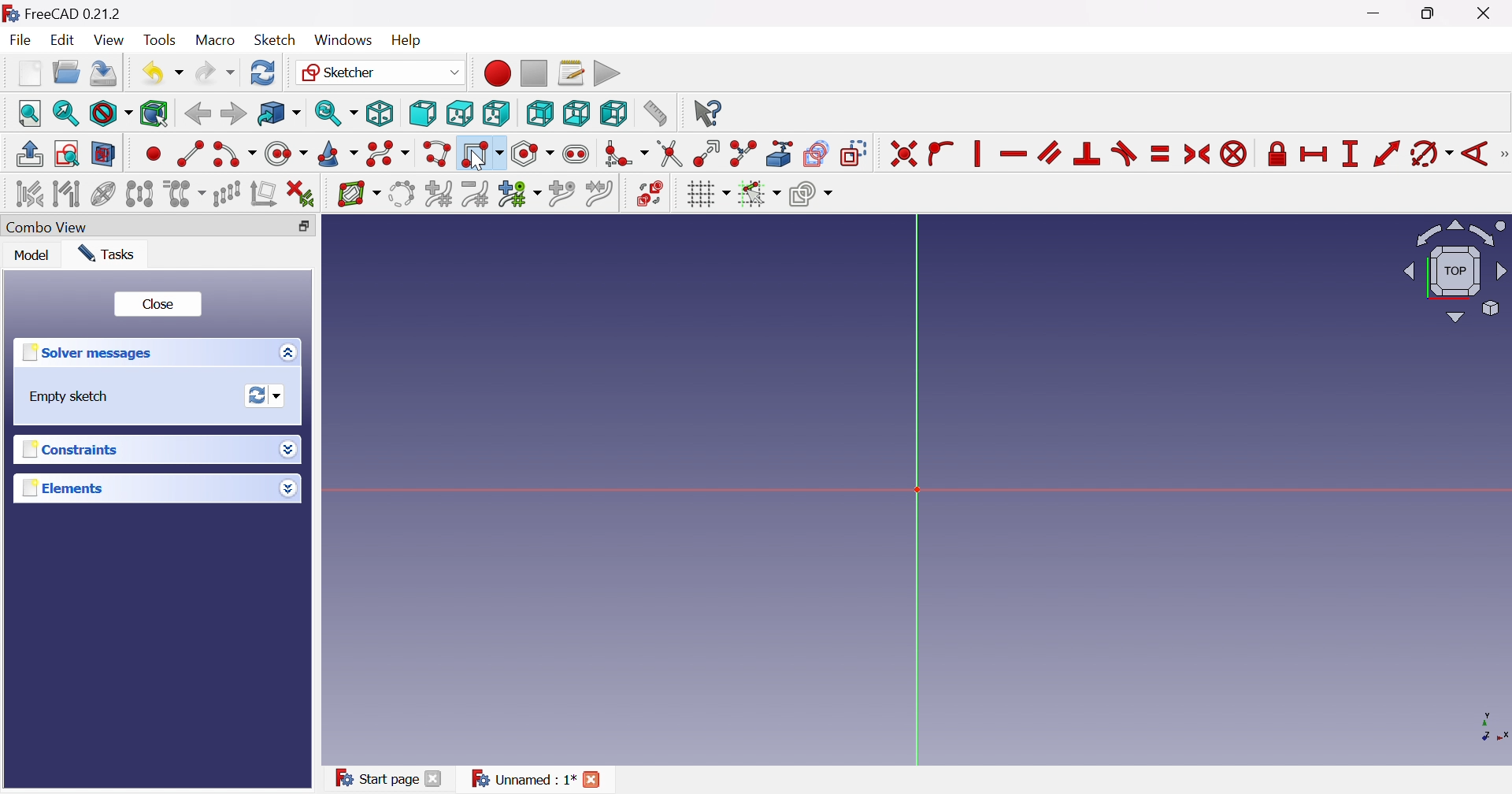 The image size is (1512, 794). I want to click on Convert geometry to B-spline, so click(400, 195).